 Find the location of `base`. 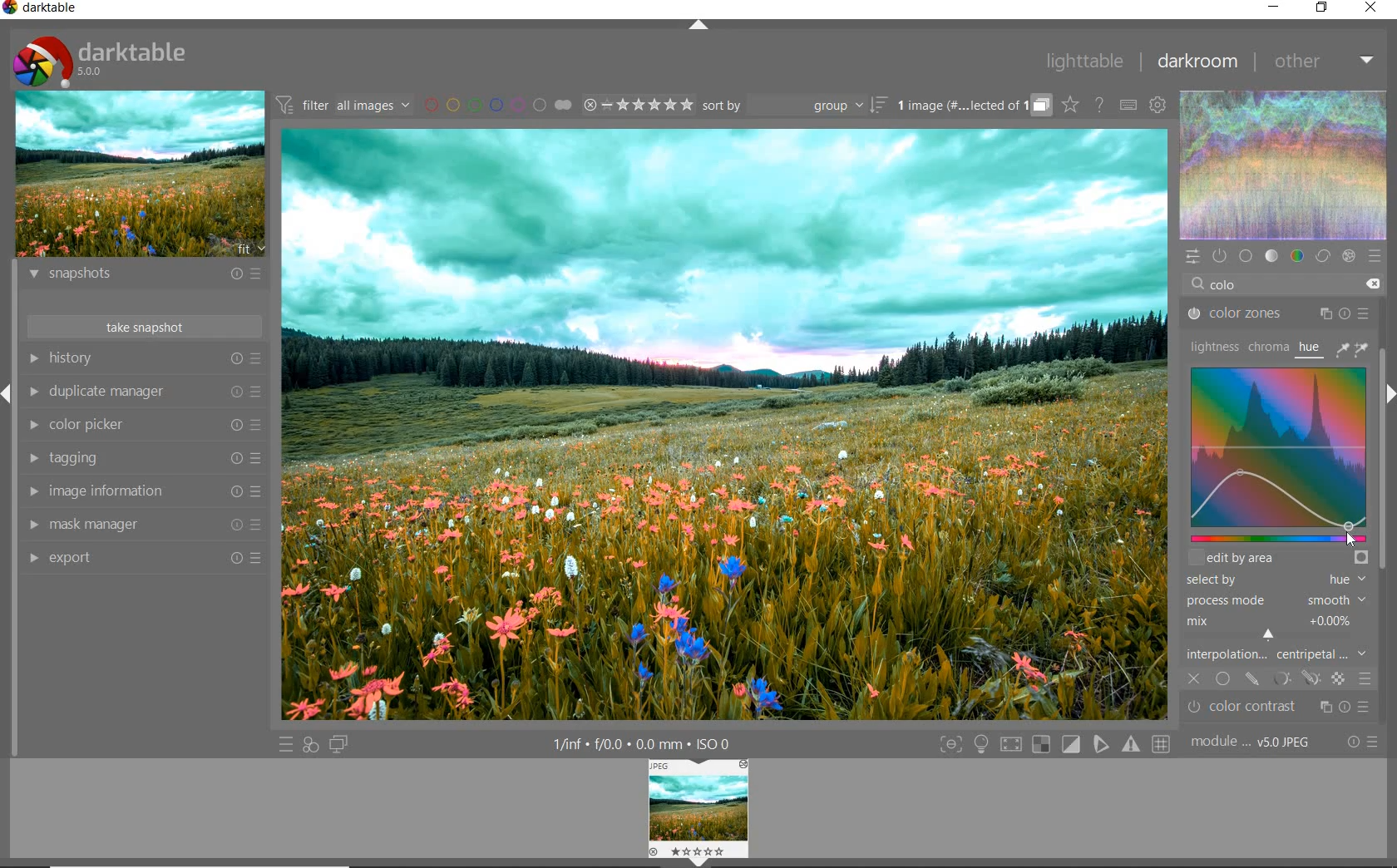

base is located at coordinates (1246, 256).